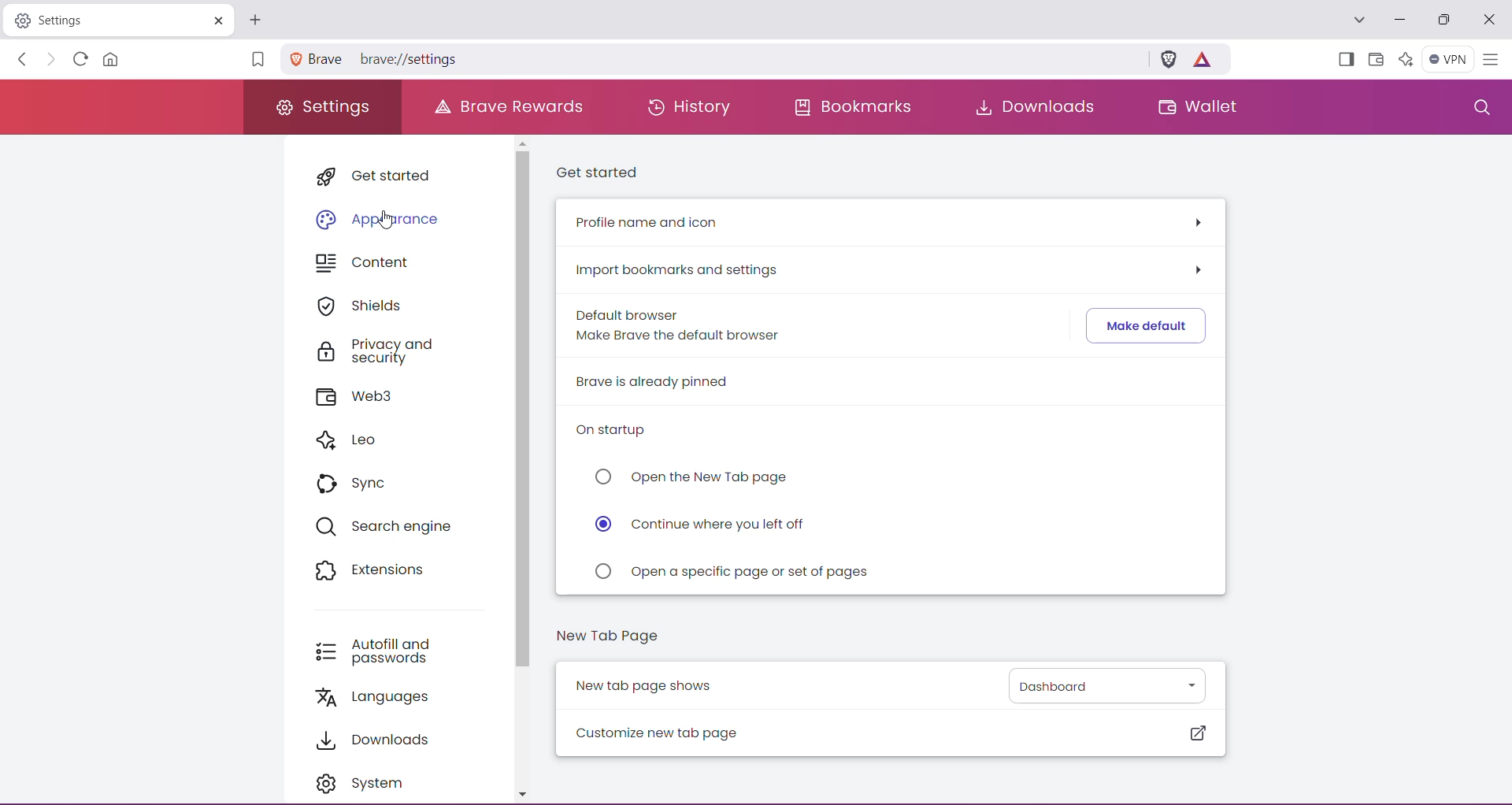  Describe the element at coordinates (357, 306) in the screenshot. I see `Shields` at that location.